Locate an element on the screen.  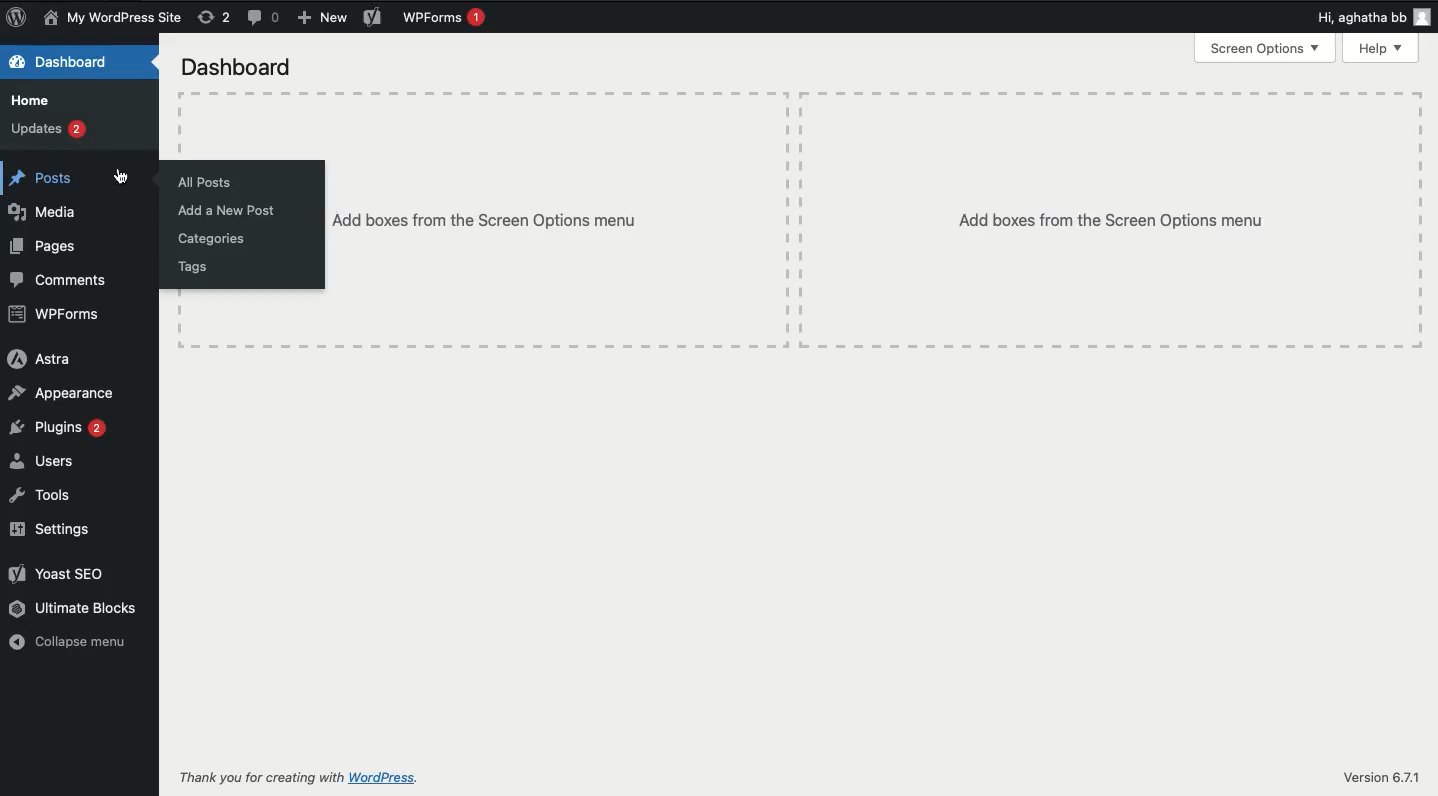
WPForms is located at coordinates (55, 315).